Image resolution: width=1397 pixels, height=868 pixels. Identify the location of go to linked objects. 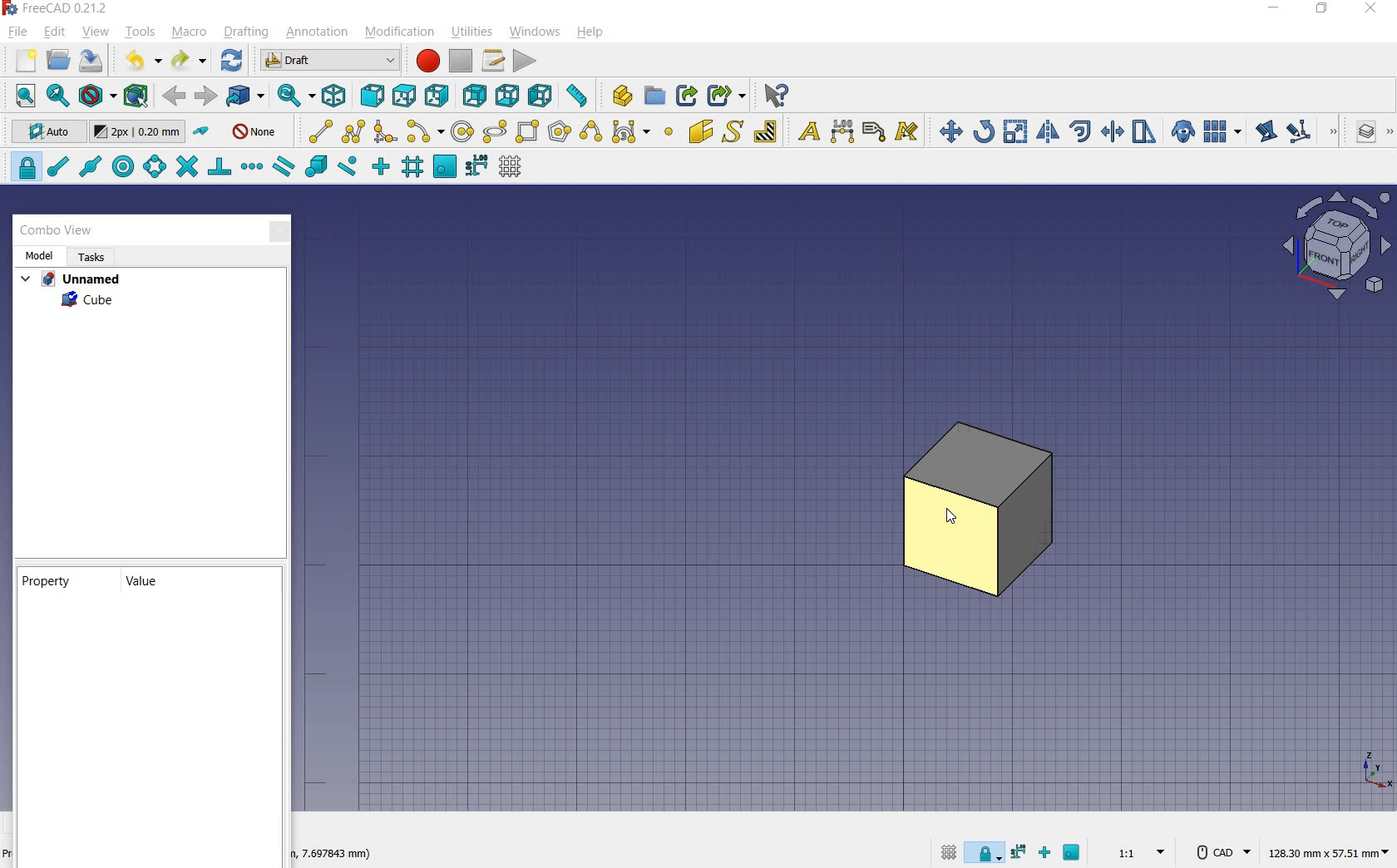
(244, 96).